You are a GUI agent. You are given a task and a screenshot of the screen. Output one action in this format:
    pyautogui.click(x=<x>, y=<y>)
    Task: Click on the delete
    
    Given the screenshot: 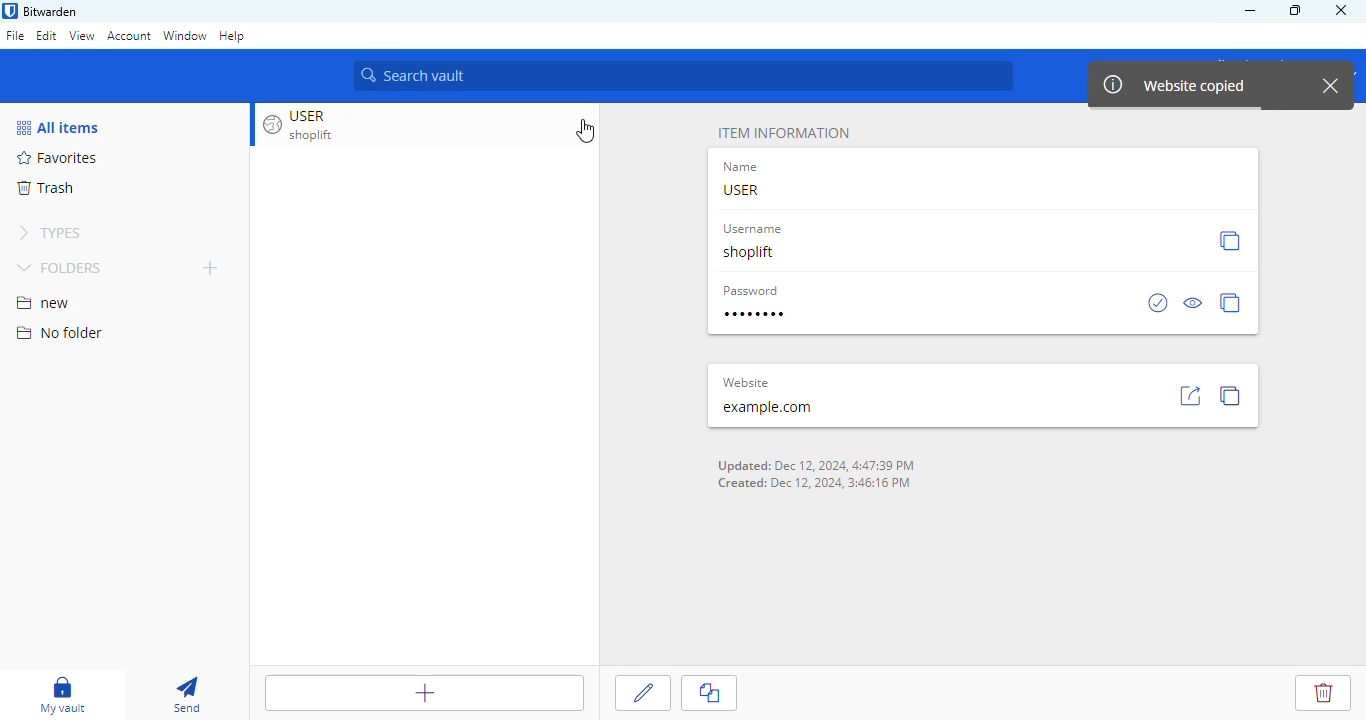 What is the action you would take?
    pyautogui.click(x=1323, y=691)
    